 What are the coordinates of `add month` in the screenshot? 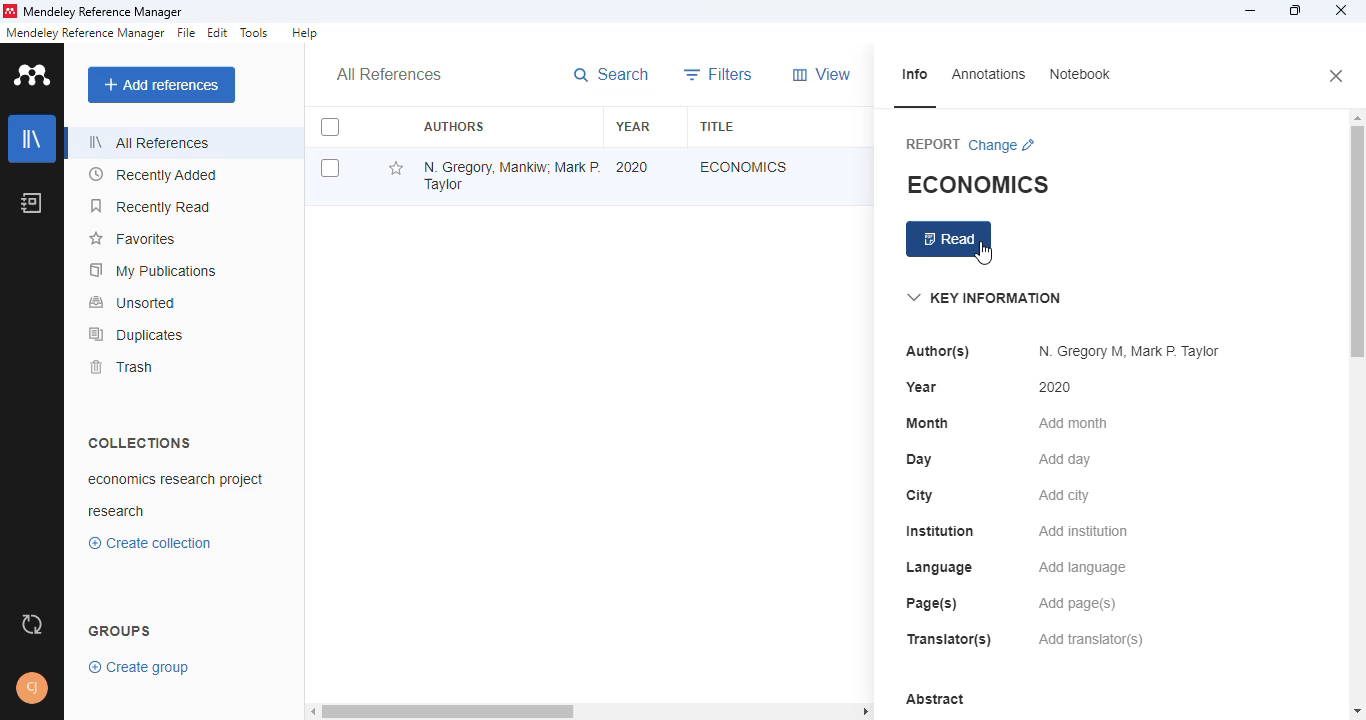 It's located at (1072, 423).